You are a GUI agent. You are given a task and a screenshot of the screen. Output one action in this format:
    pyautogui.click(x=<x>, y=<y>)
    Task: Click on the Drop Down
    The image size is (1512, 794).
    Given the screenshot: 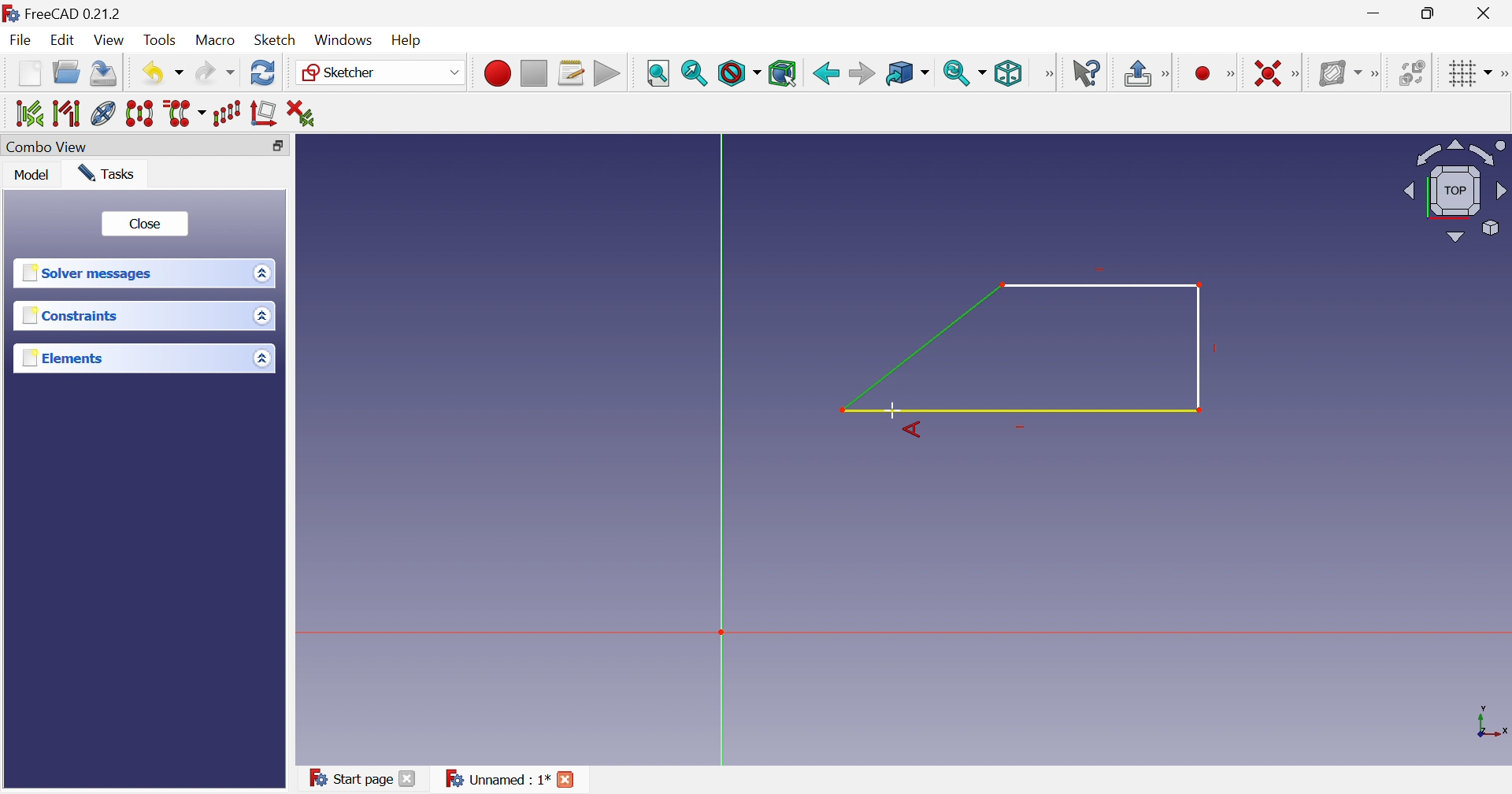 What is the action you would take?
    pyautogui.click(x=928, y=73)
    